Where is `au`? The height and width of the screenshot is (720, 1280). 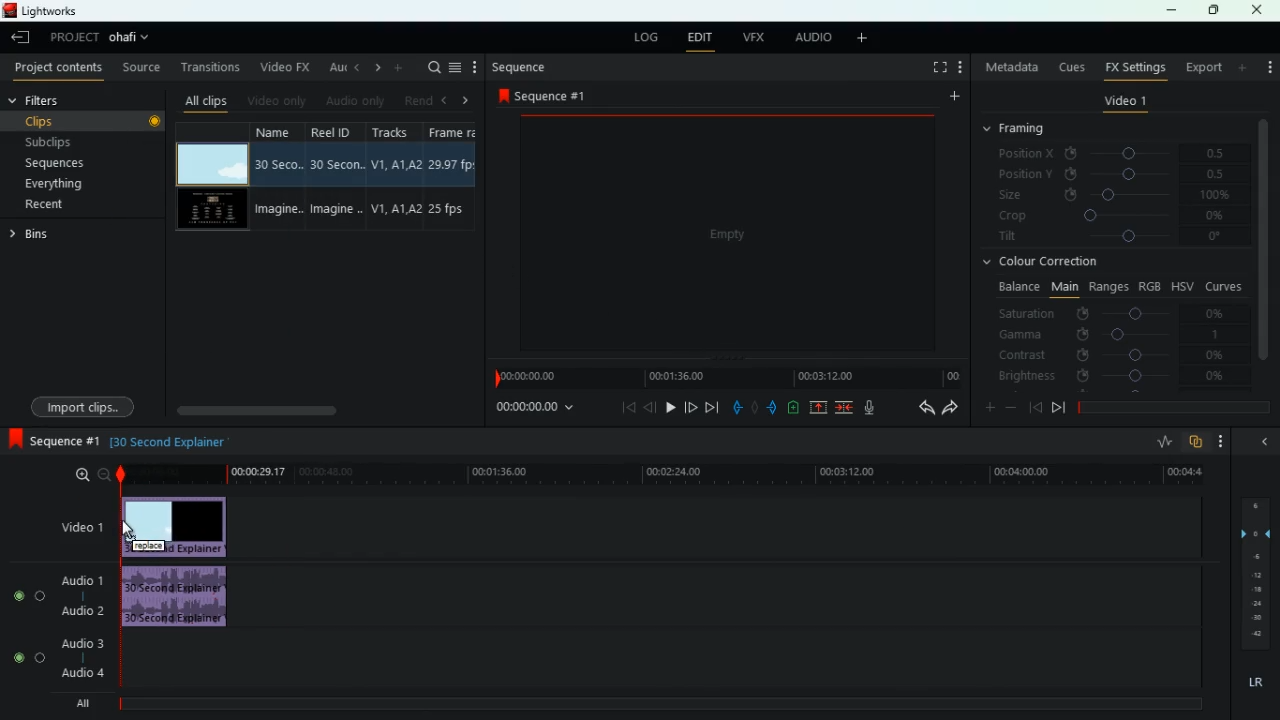 au is located at coordinates (334, 67).